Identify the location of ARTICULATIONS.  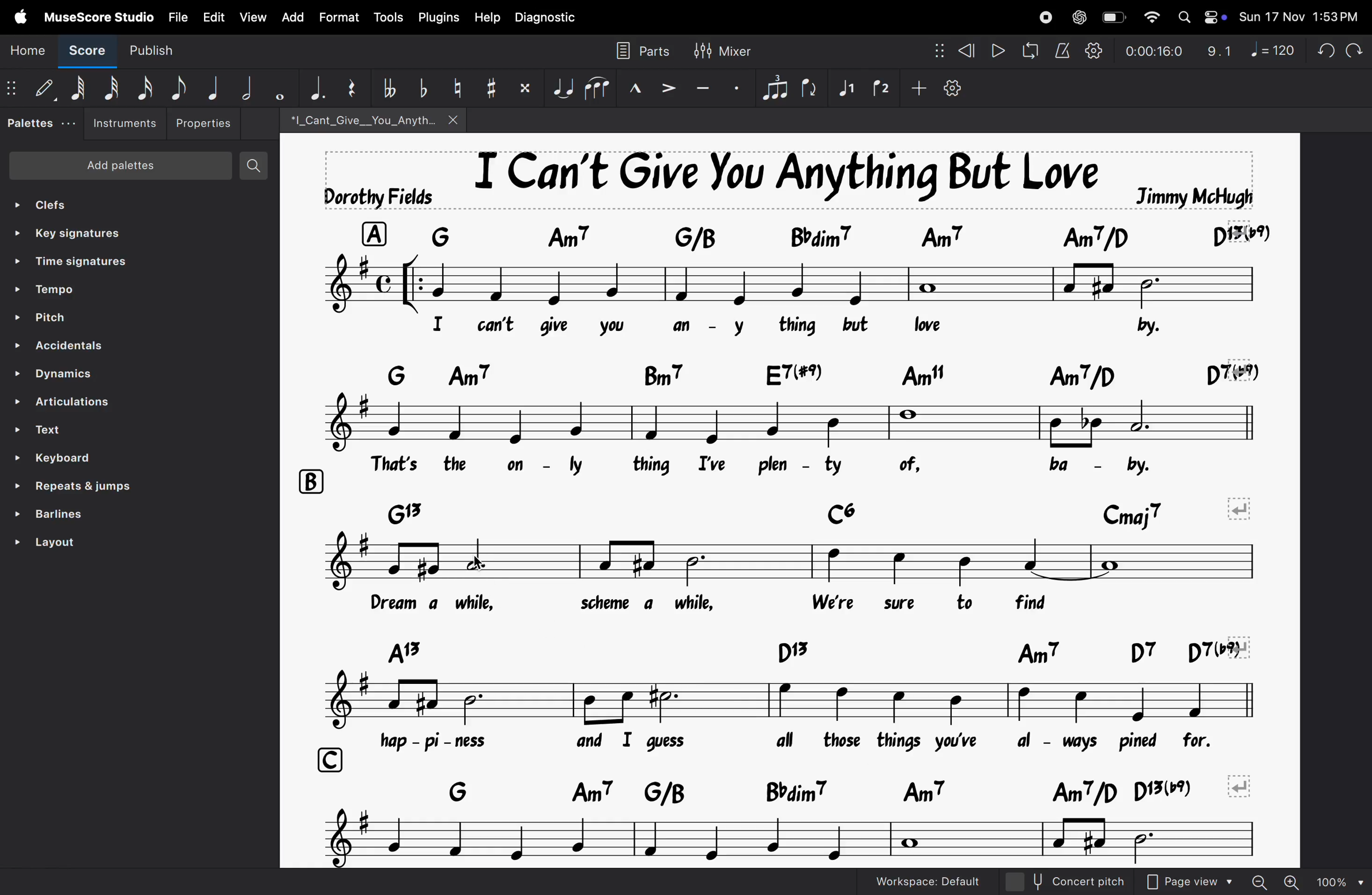
(66, 402).